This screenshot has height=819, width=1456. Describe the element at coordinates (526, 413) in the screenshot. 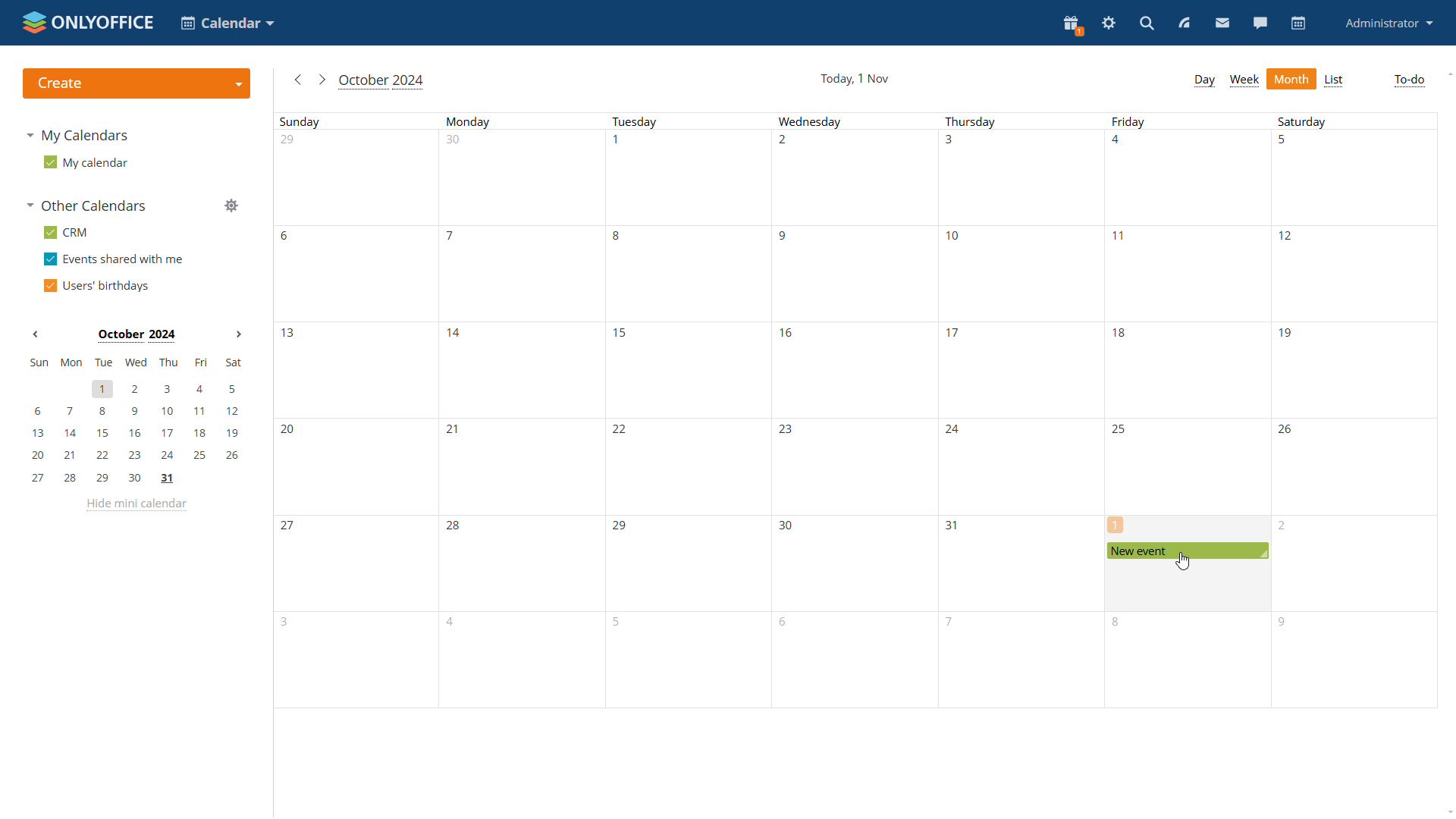

I see `Monday` at that location.